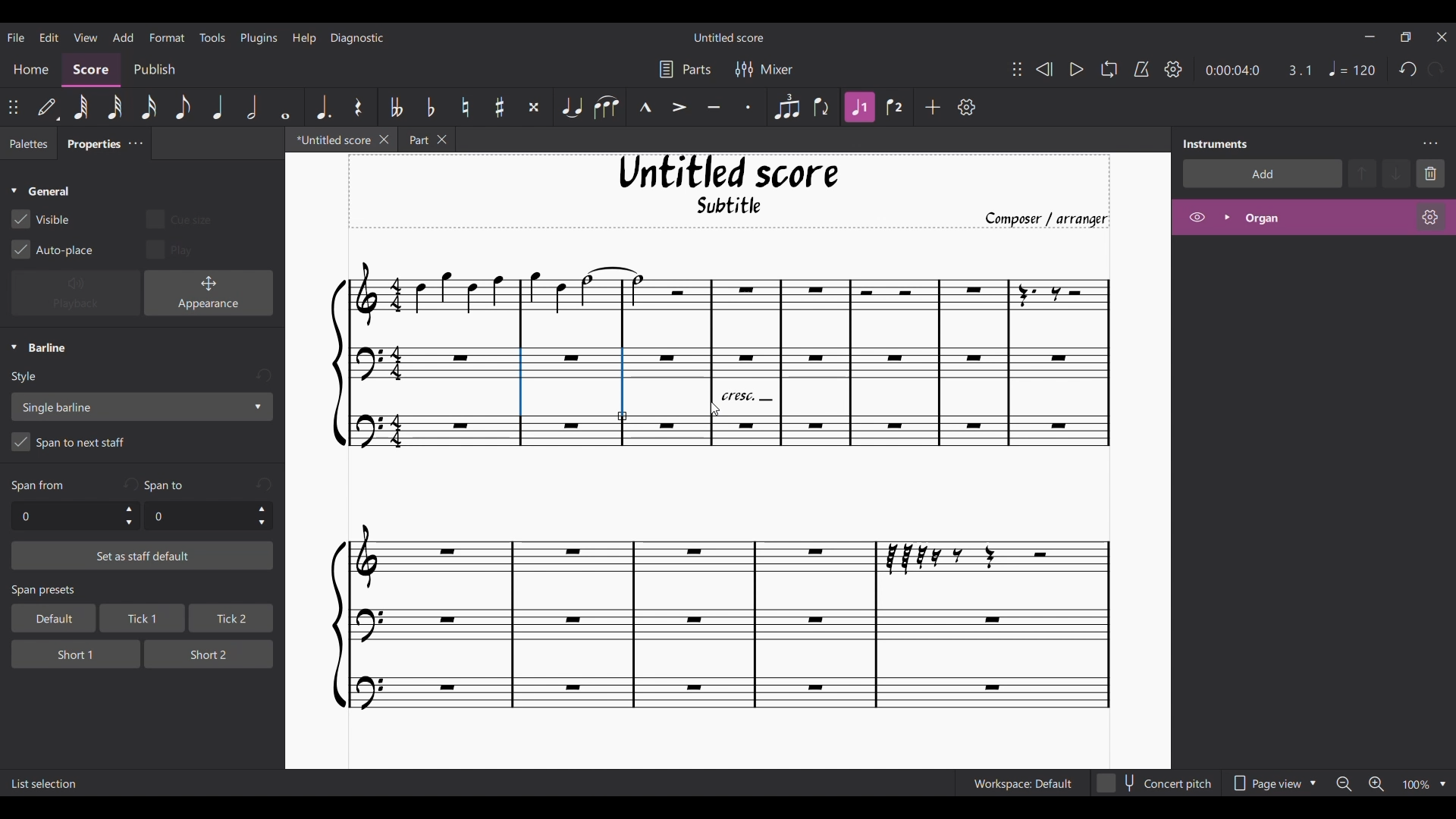  What do you see at coordinates (729, 172) in the screenshot?
I see `Untitled Score` at bounding box center [729, 172].